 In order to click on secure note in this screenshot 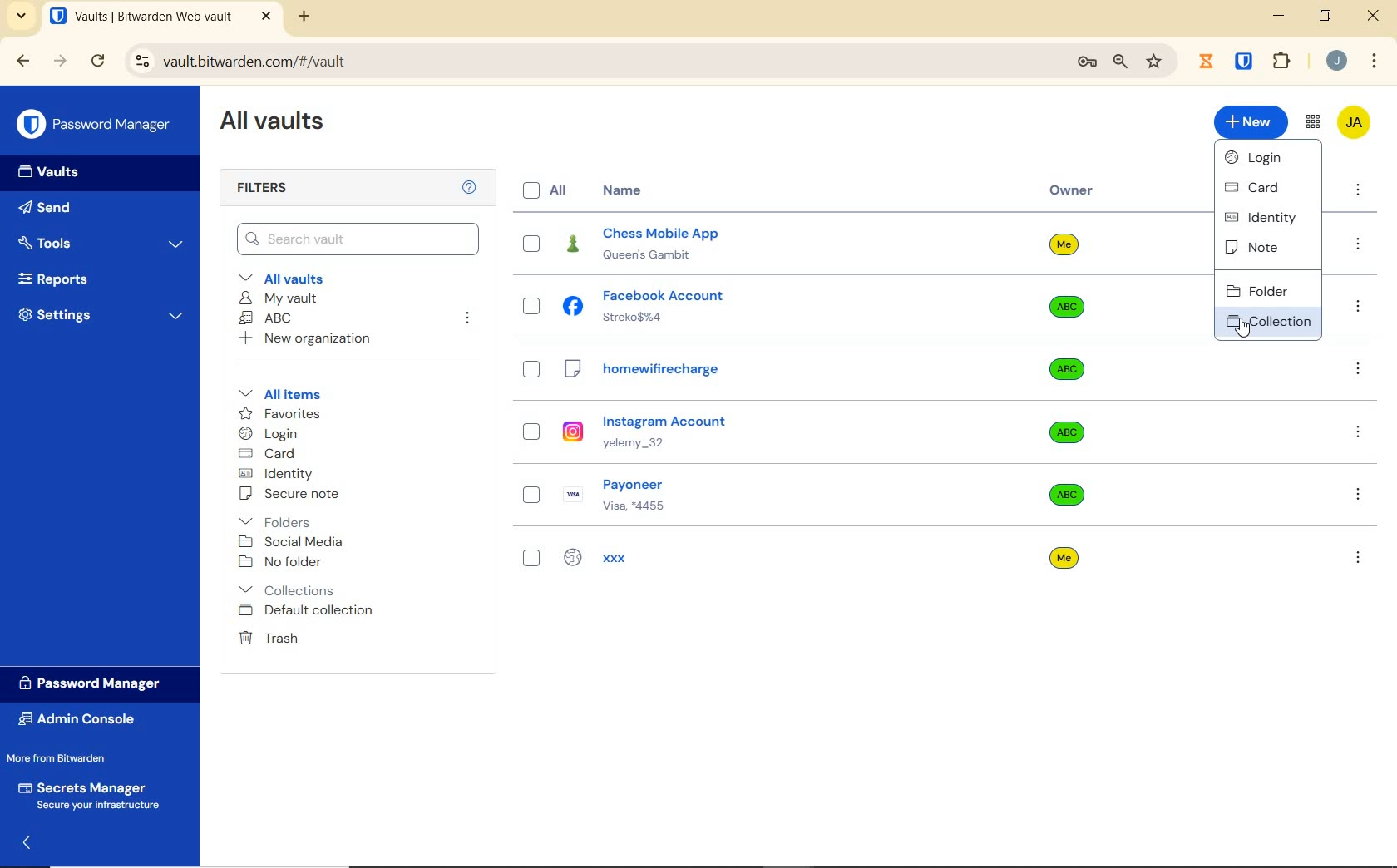, I will do `click(289, 495)`.